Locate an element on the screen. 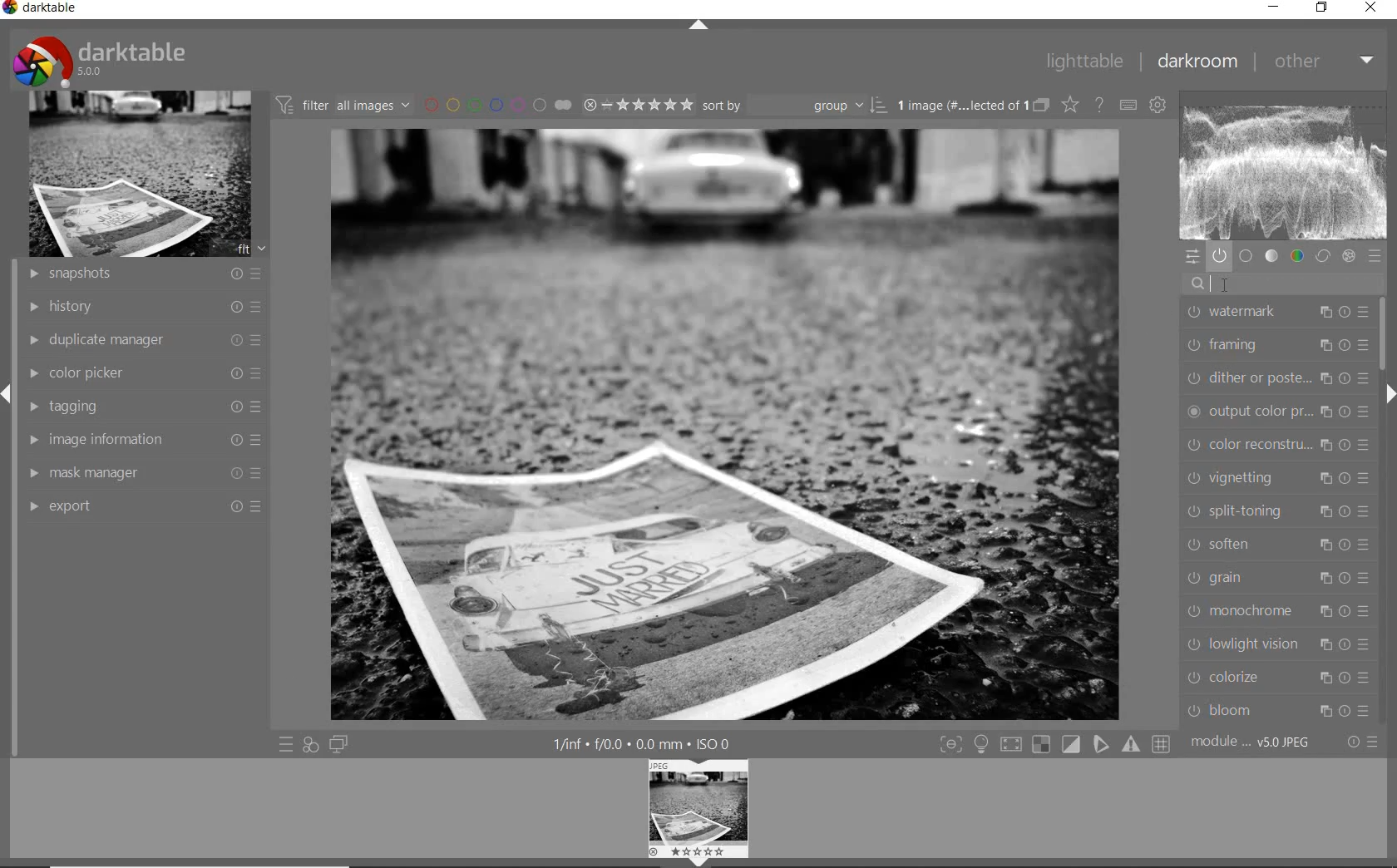 Image resolution: width=1397 pixels, height=868 pixels. monochrome is located at coordinates (1276, 612).